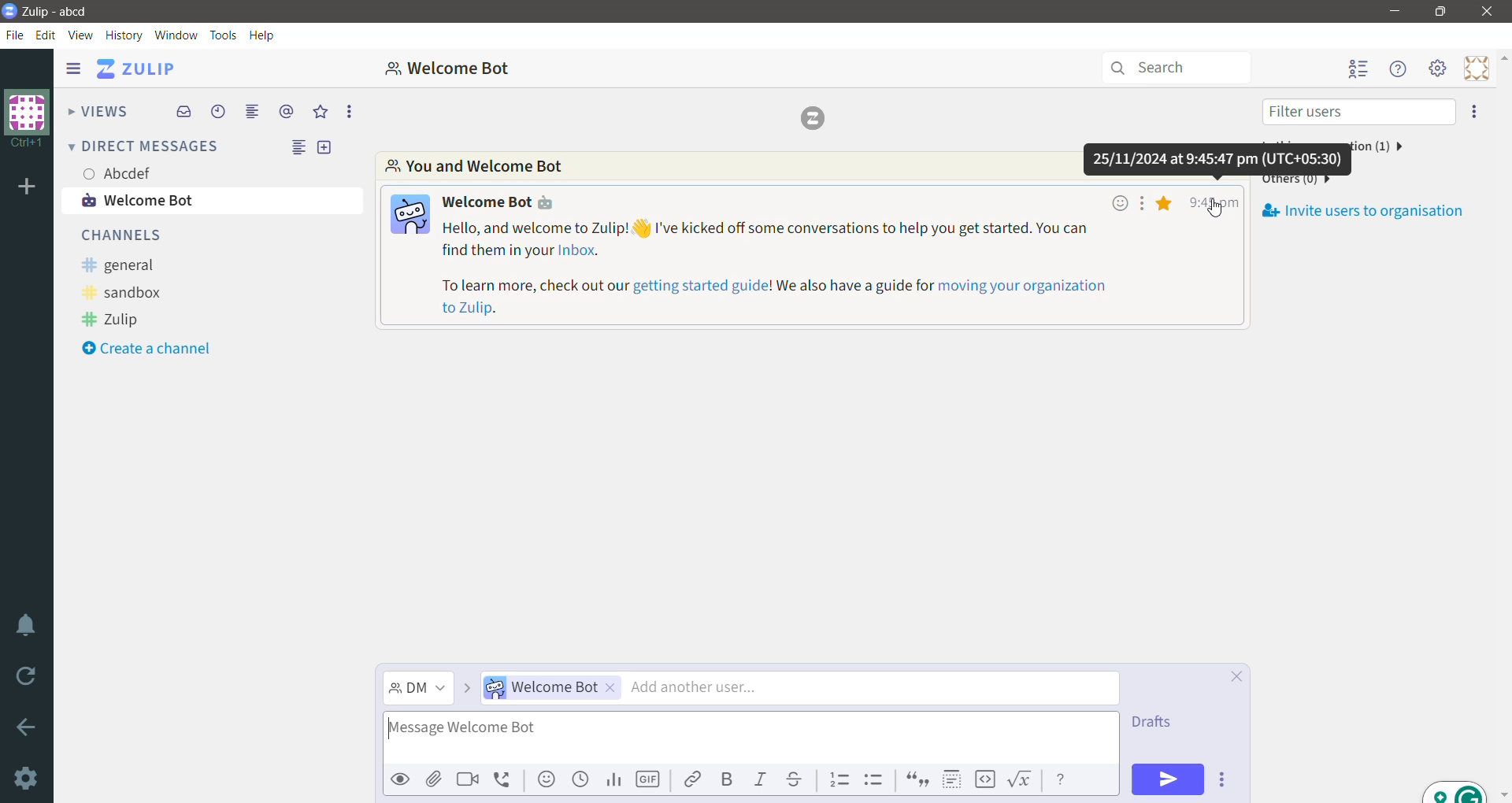 This screenshot has height=803, width=1512. Describe the element at coordinates (648, 781) in the screenshot. I see `Add GIF` at that location.